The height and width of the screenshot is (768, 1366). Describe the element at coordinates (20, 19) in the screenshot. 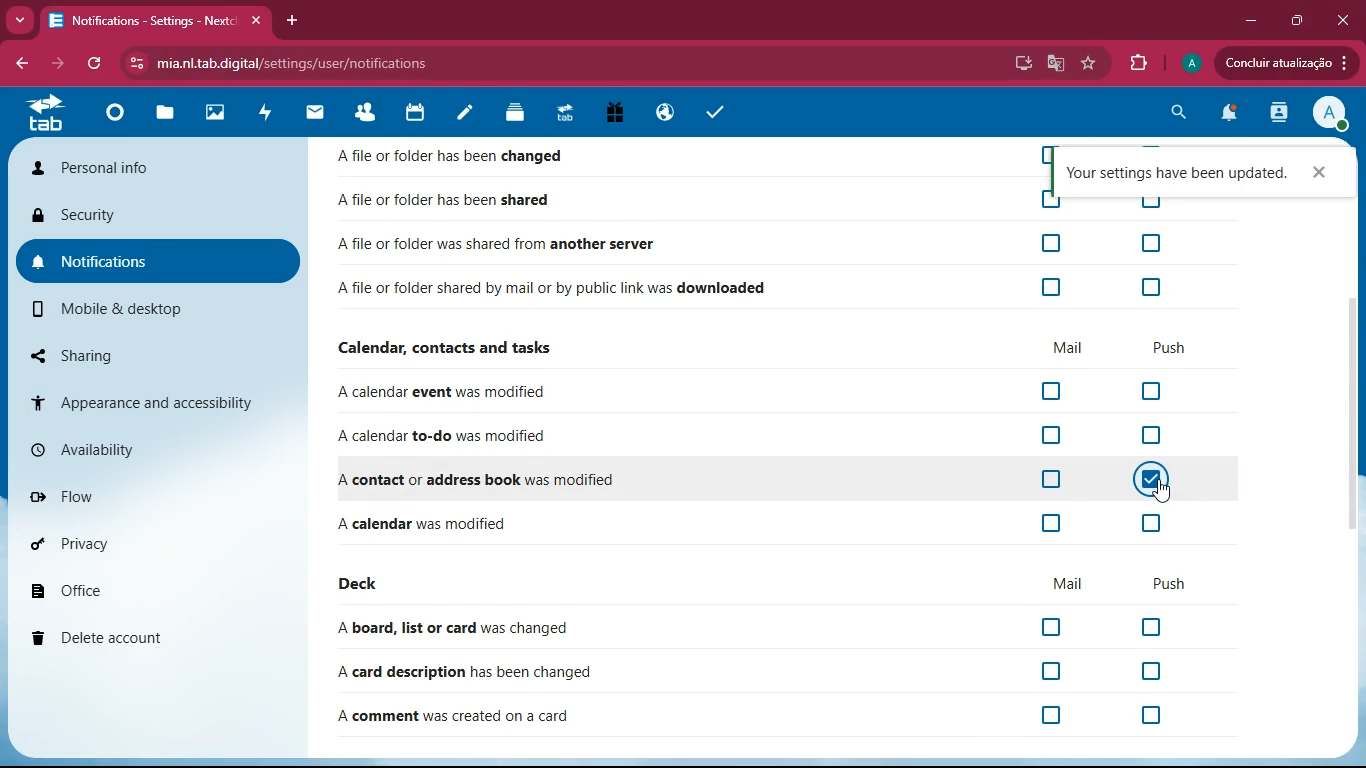

I see `more` at that location.